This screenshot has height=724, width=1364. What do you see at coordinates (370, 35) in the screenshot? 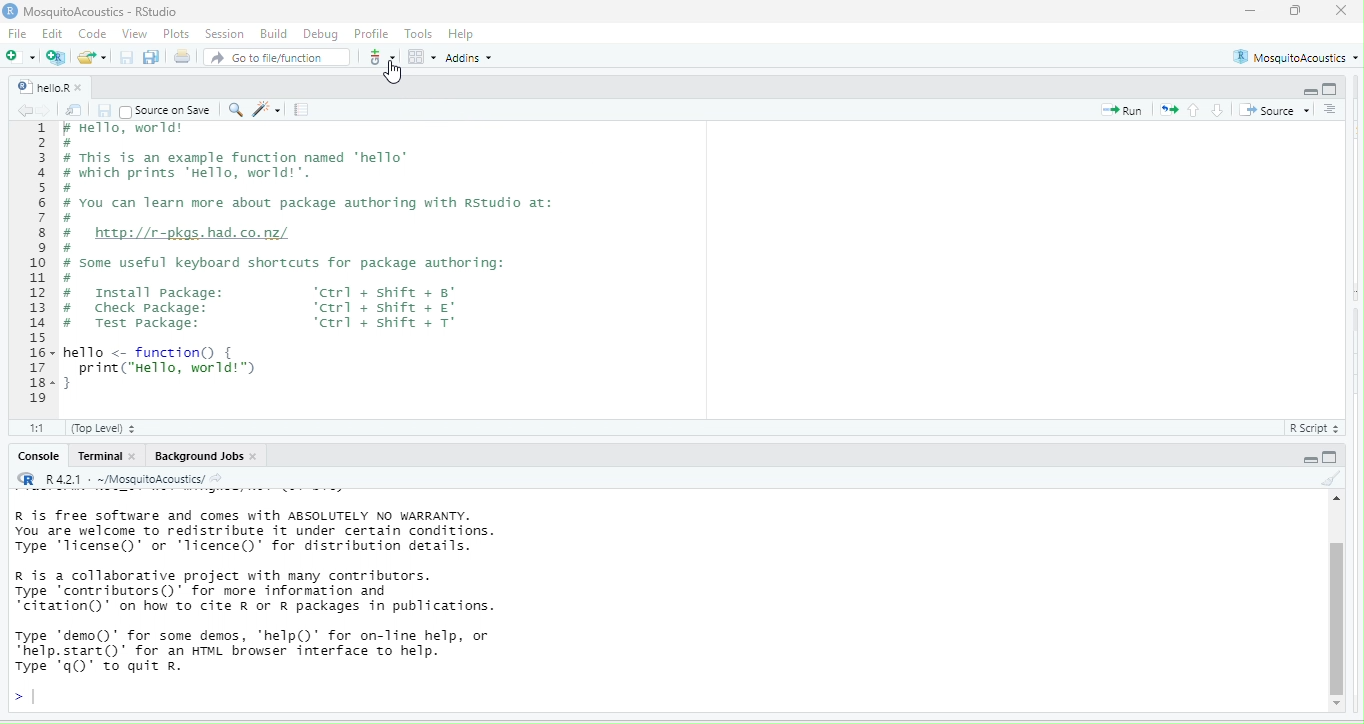
I see ` Profile` at bounding box center [370, 35].